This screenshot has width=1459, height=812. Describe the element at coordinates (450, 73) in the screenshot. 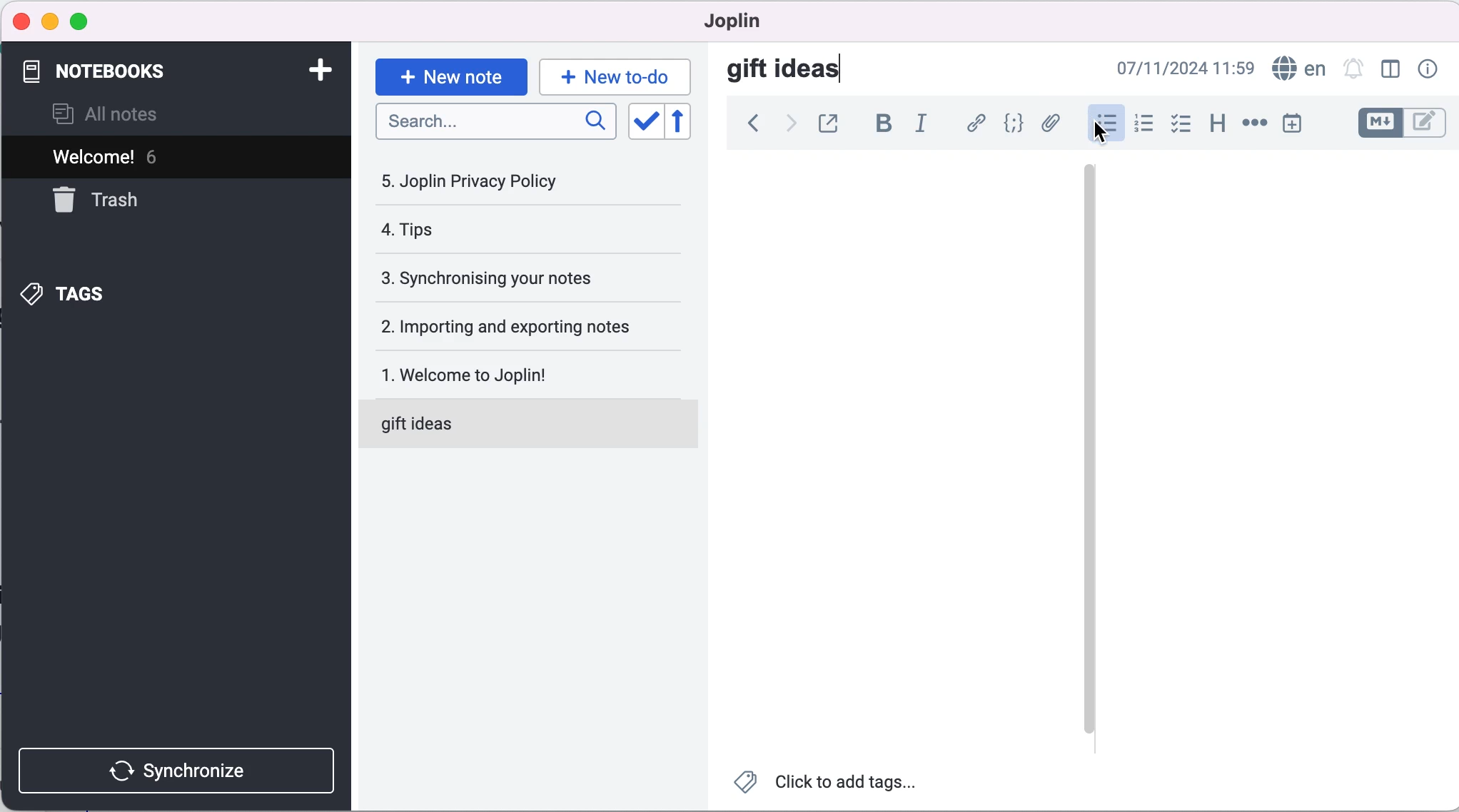

I see `new note` at that location.